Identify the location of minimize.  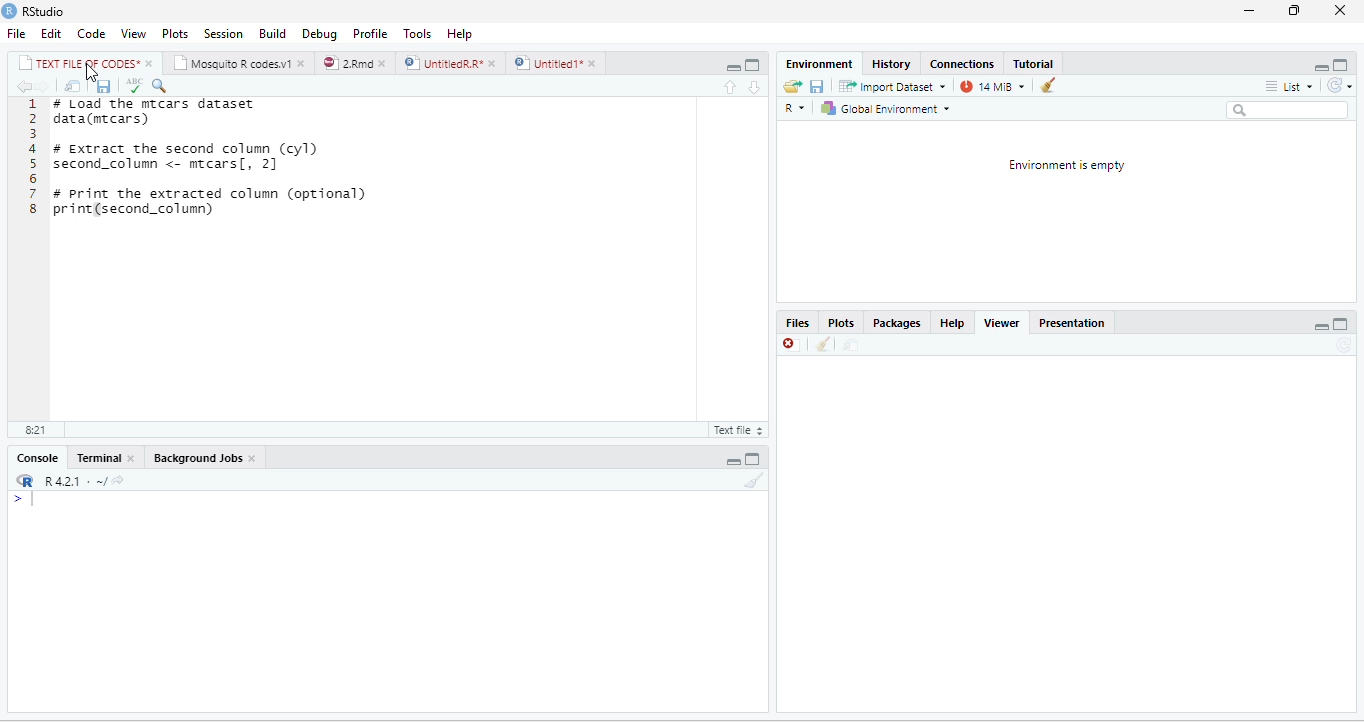
(754, 64).